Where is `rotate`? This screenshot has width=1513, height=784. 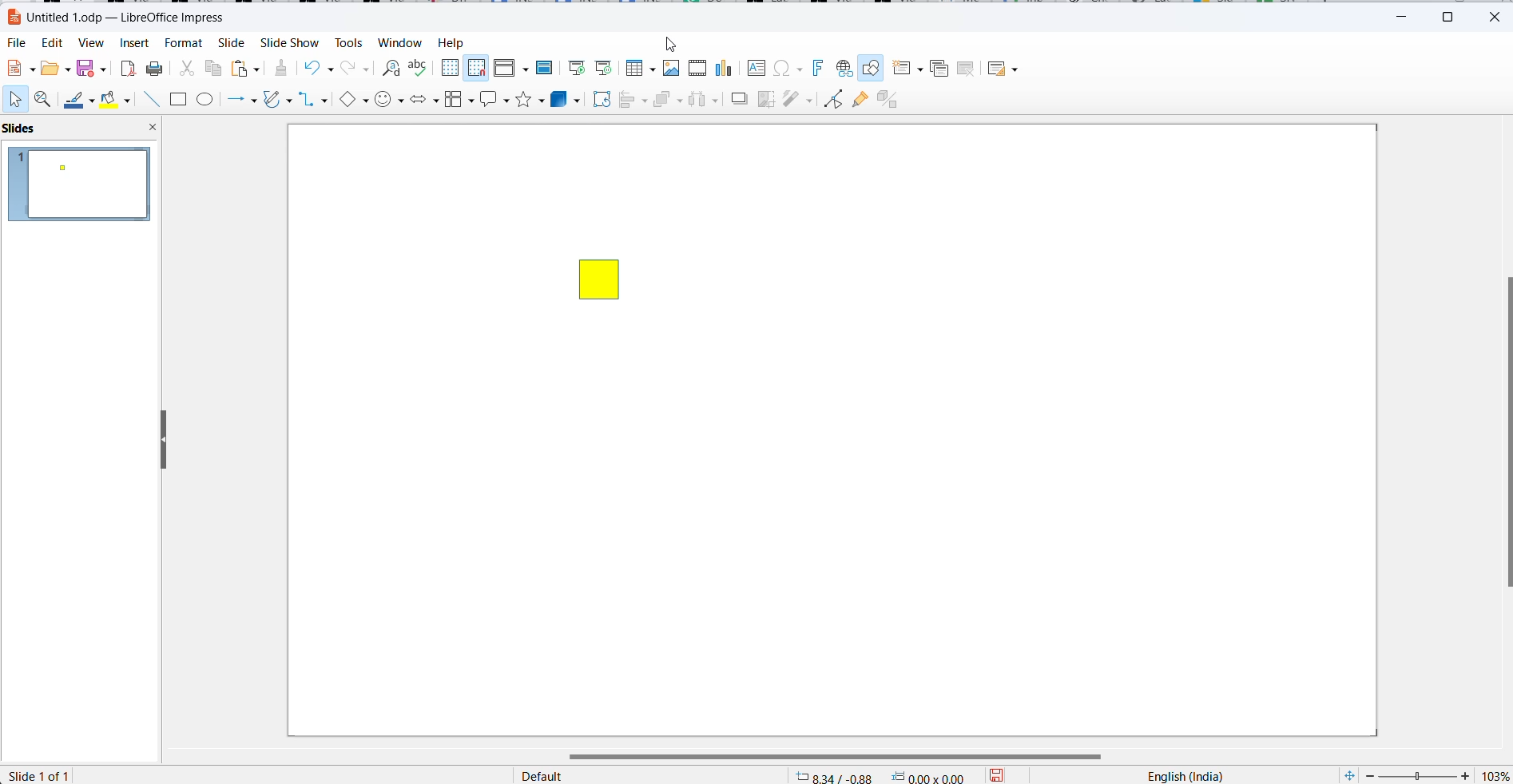
rotate is located at coordinates (599, 100).